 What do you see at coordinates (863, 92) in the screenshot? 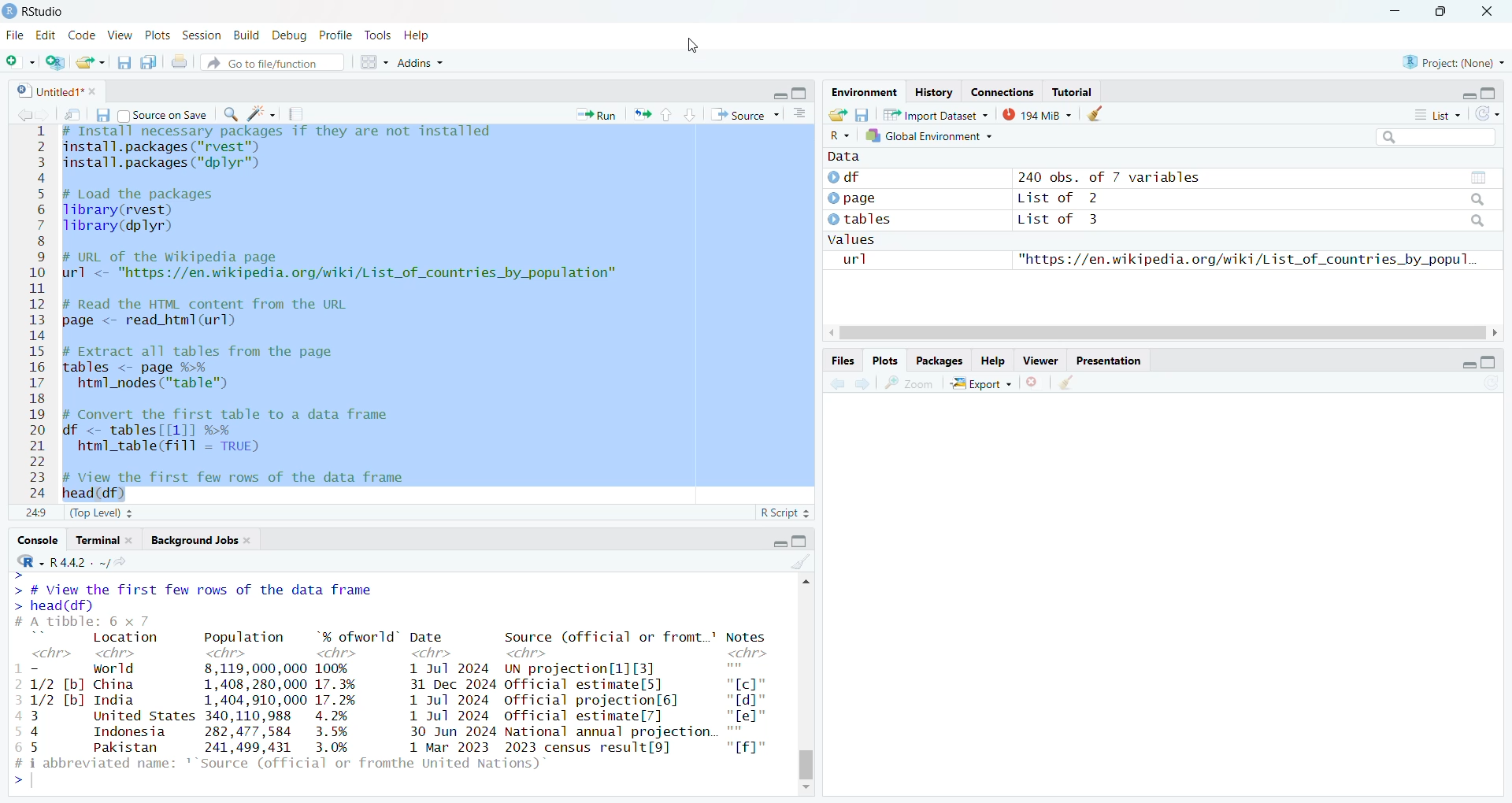
I see `Environment` at bounding box center [863, 92].